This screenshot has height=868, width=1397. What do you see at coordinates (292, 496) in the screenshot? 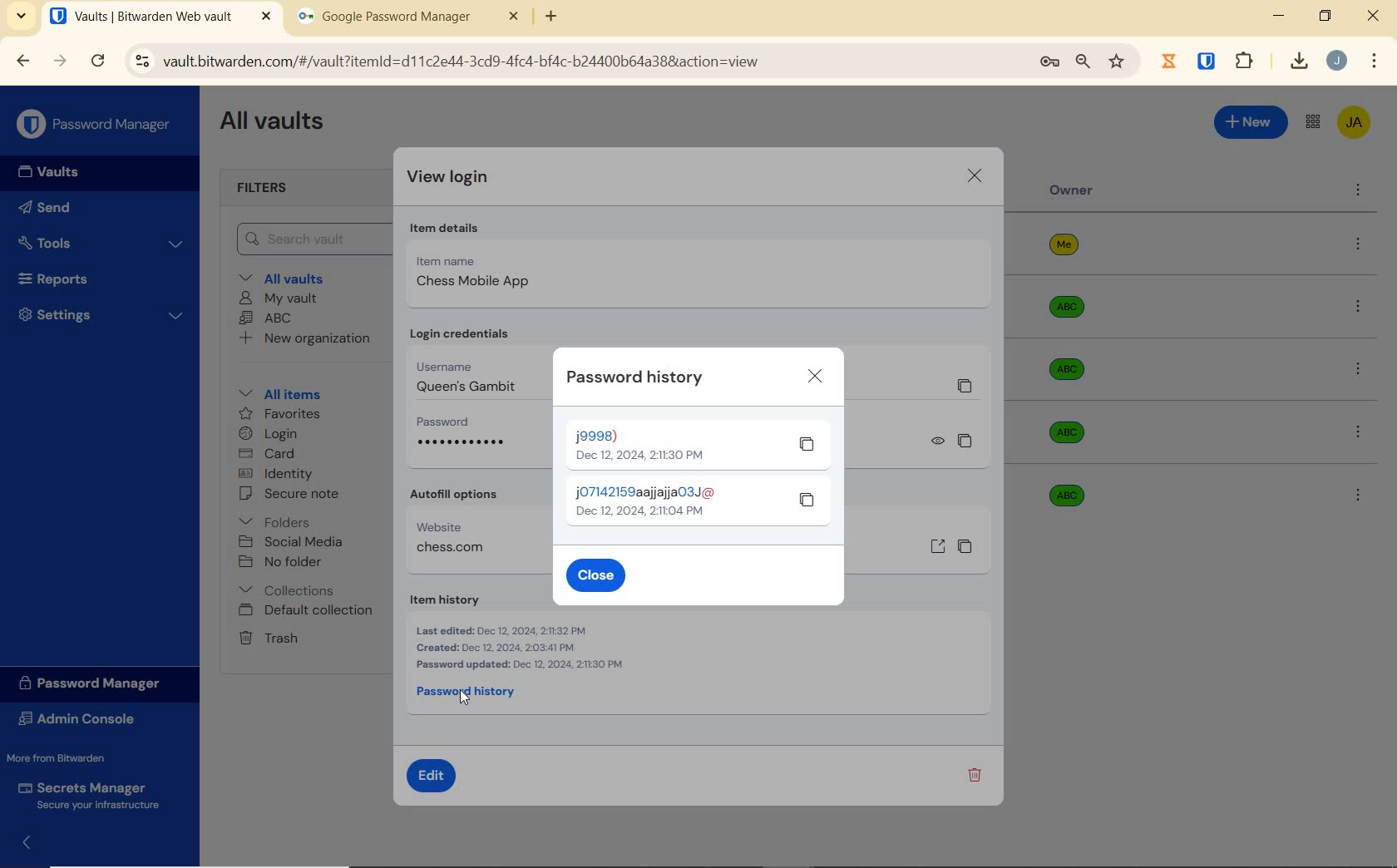
I see `secure note` at bounding box center [292, 496].